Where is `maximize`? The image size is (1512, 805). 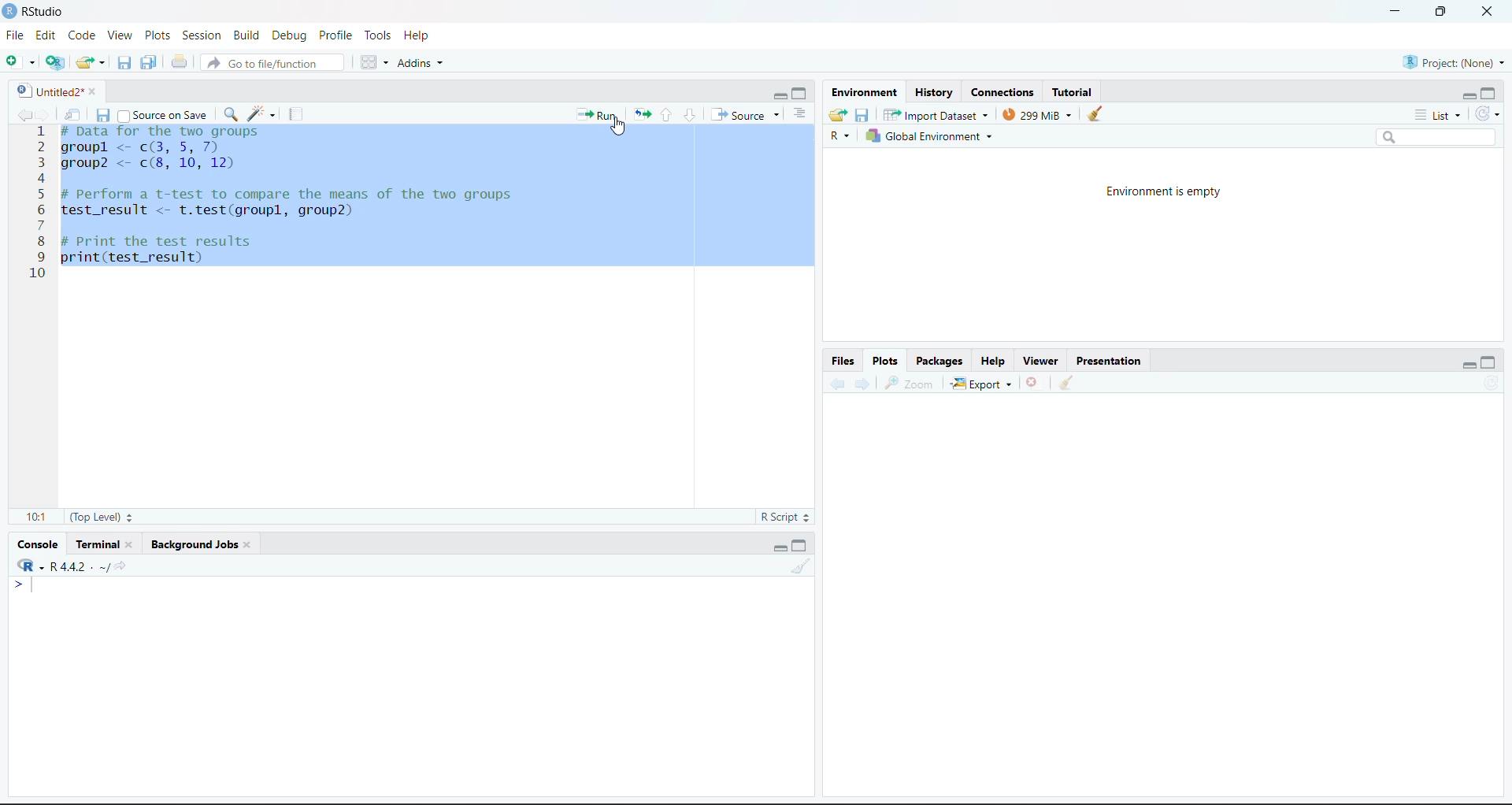 maximize is located at coordinates (799, 93).